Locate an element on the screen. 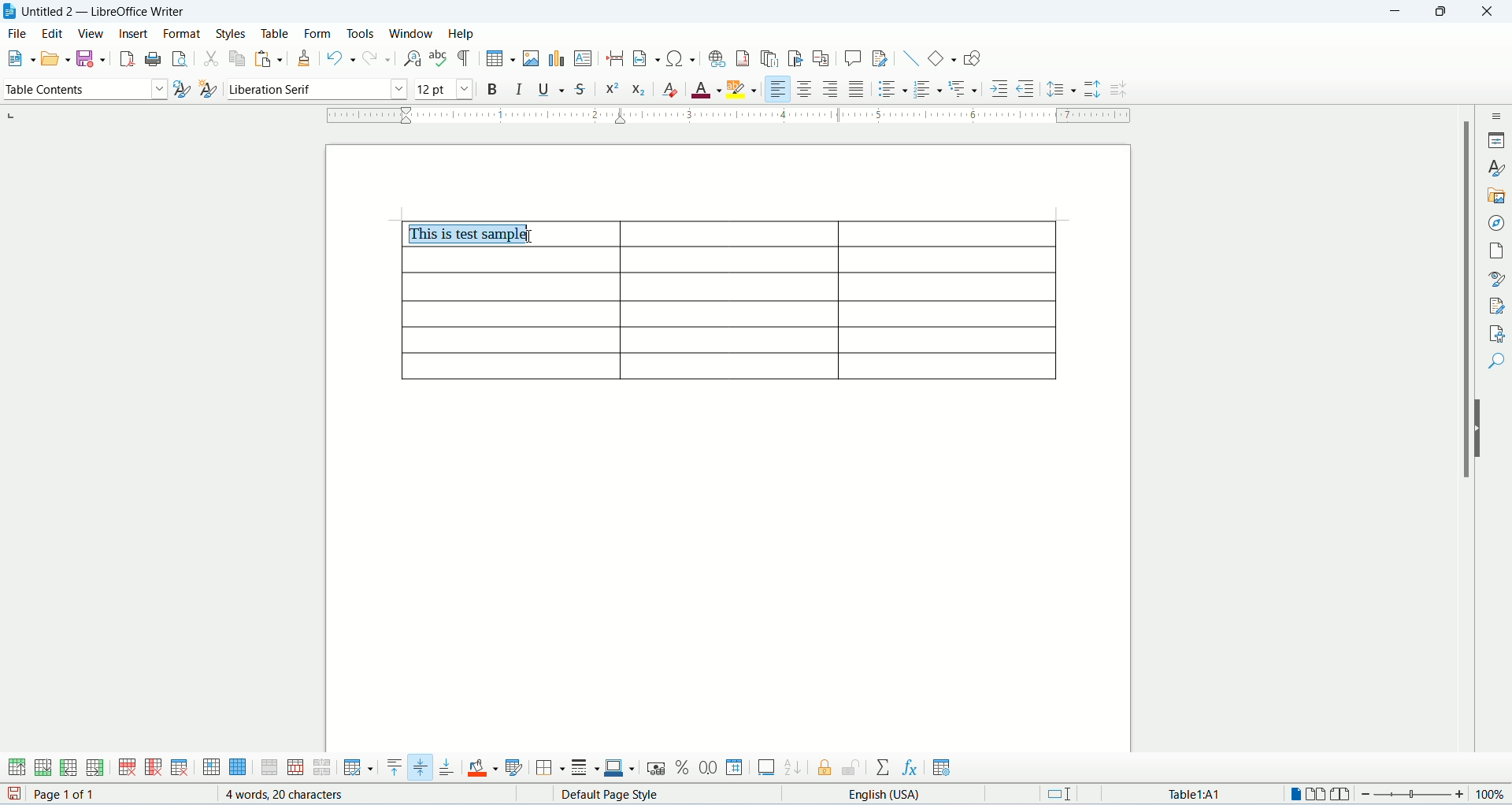 The image size is (1512, 805). form is located at coordinates (322, 34).